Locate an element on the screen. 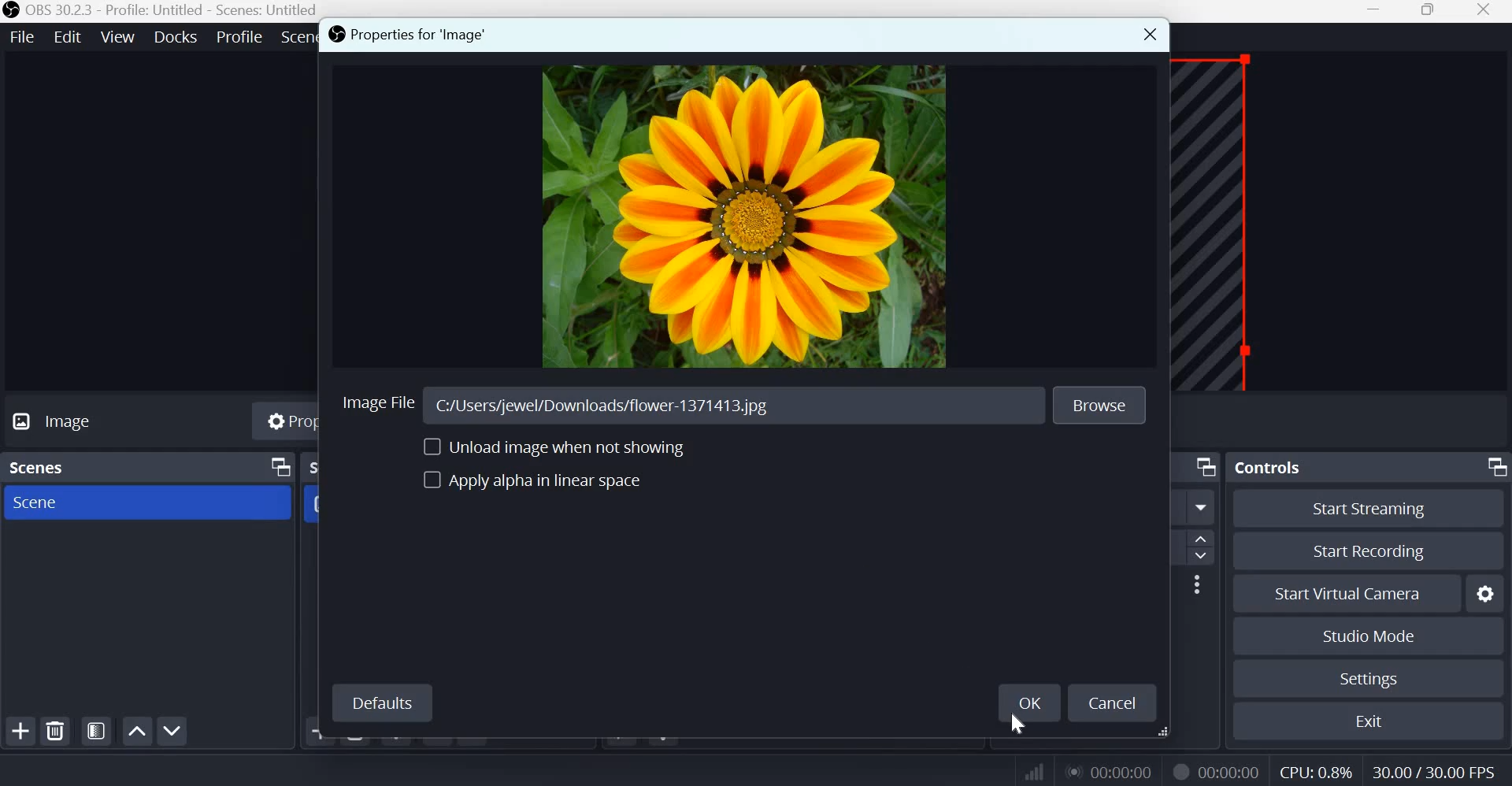 The width and height of the screenshot is (1512, 786). Exit is located at coordinates (1370, 719).